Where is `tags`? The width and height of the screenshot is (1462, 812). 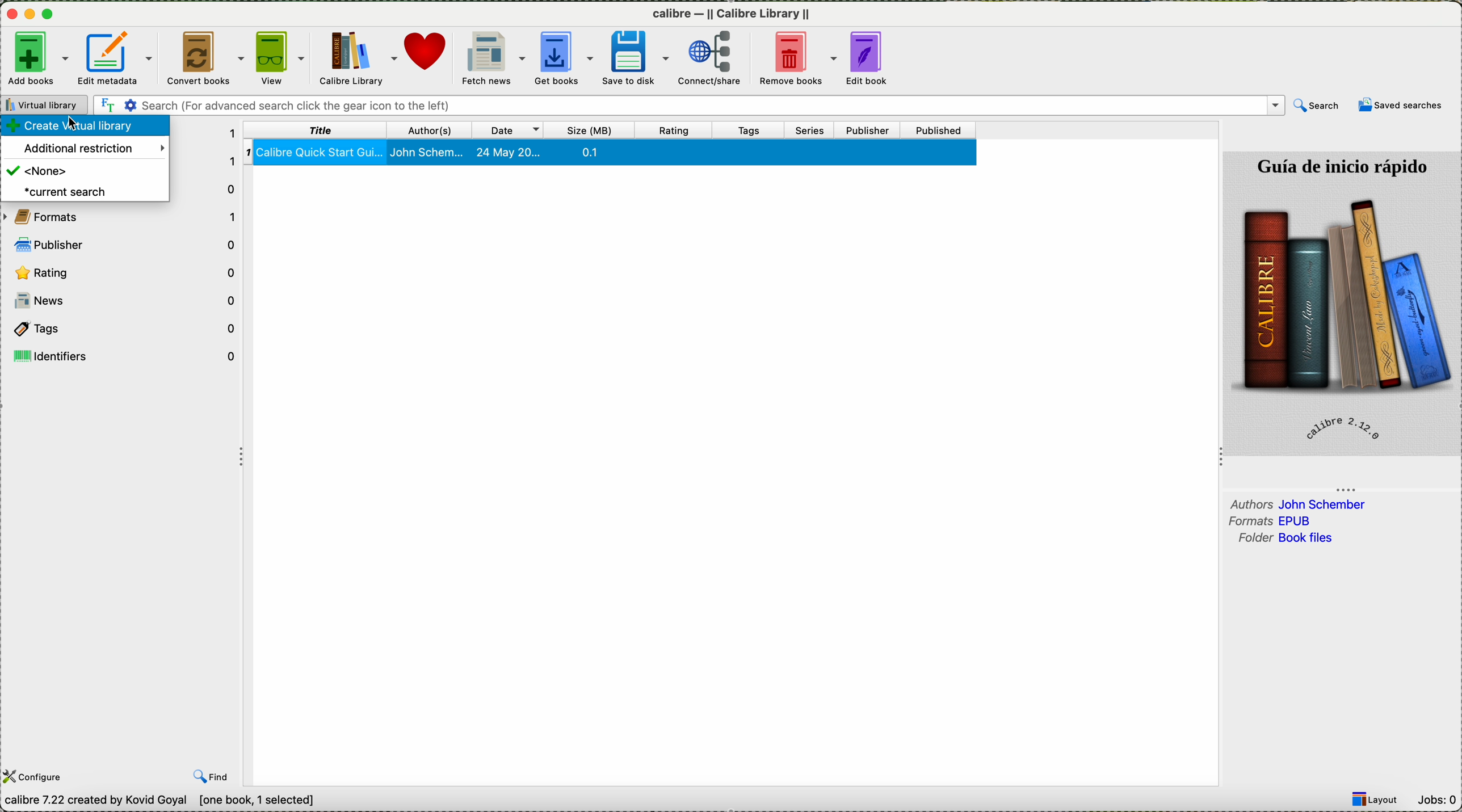 tags is located at coordinates (757, 130).